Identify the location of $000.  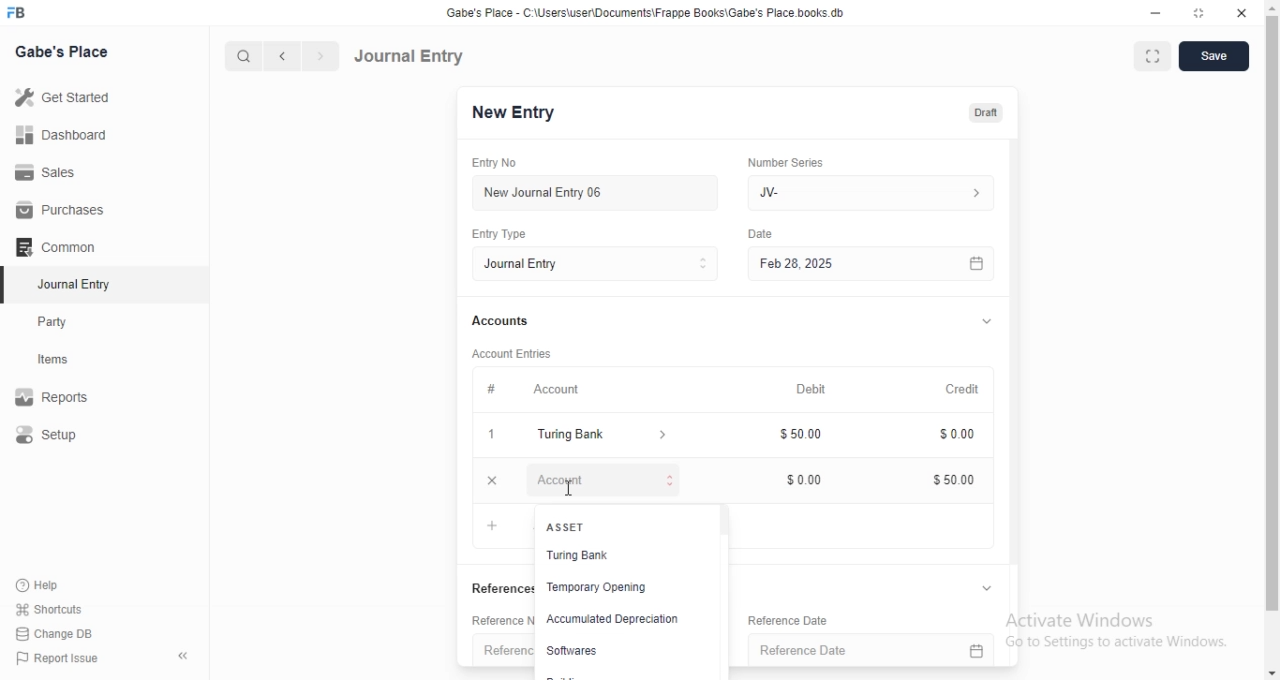
(815, 479).